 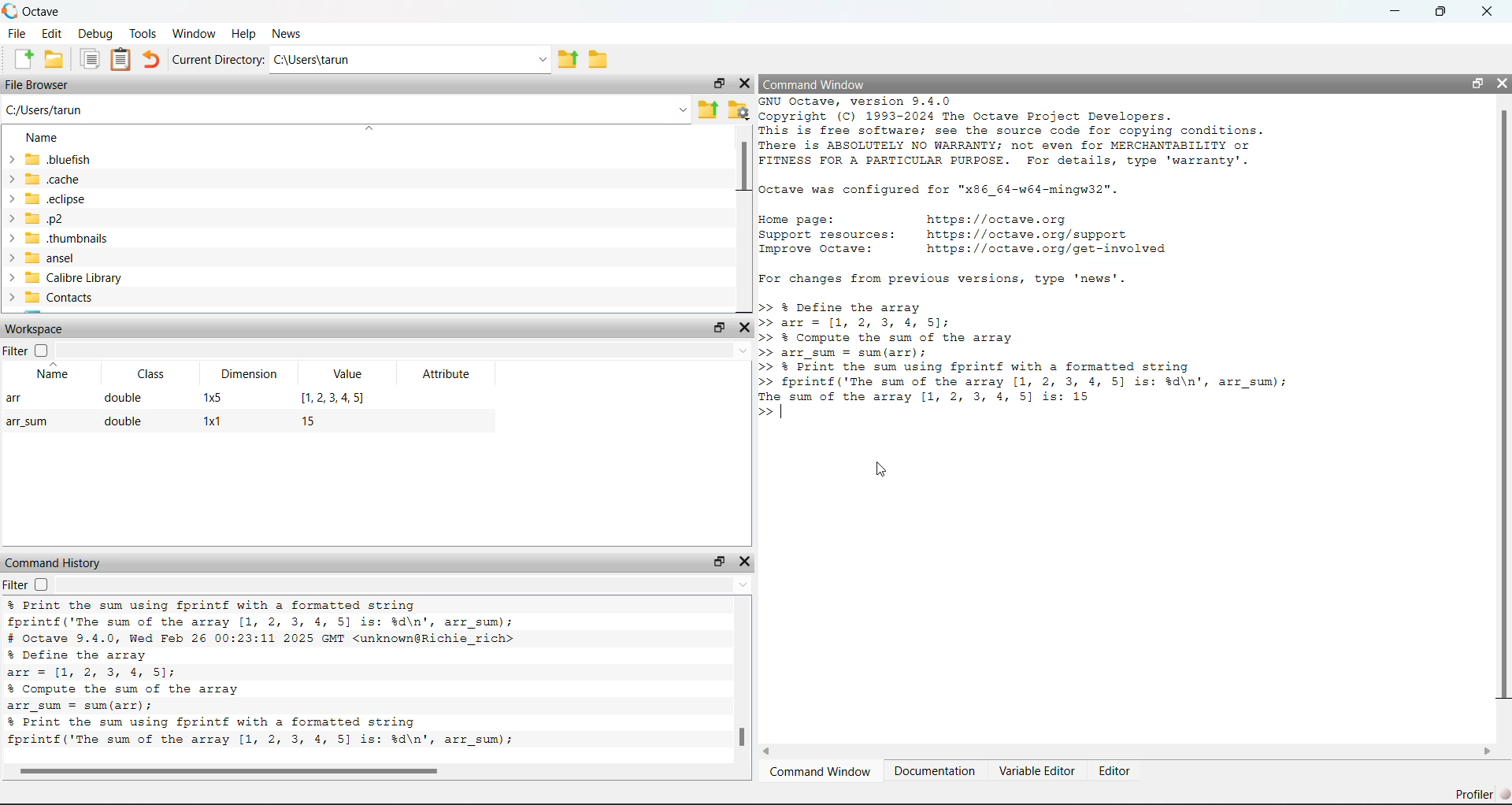 What do you see at coordinates (153, 60) in the screenshot?
I see `Undo` at bounding box center [153, 60].